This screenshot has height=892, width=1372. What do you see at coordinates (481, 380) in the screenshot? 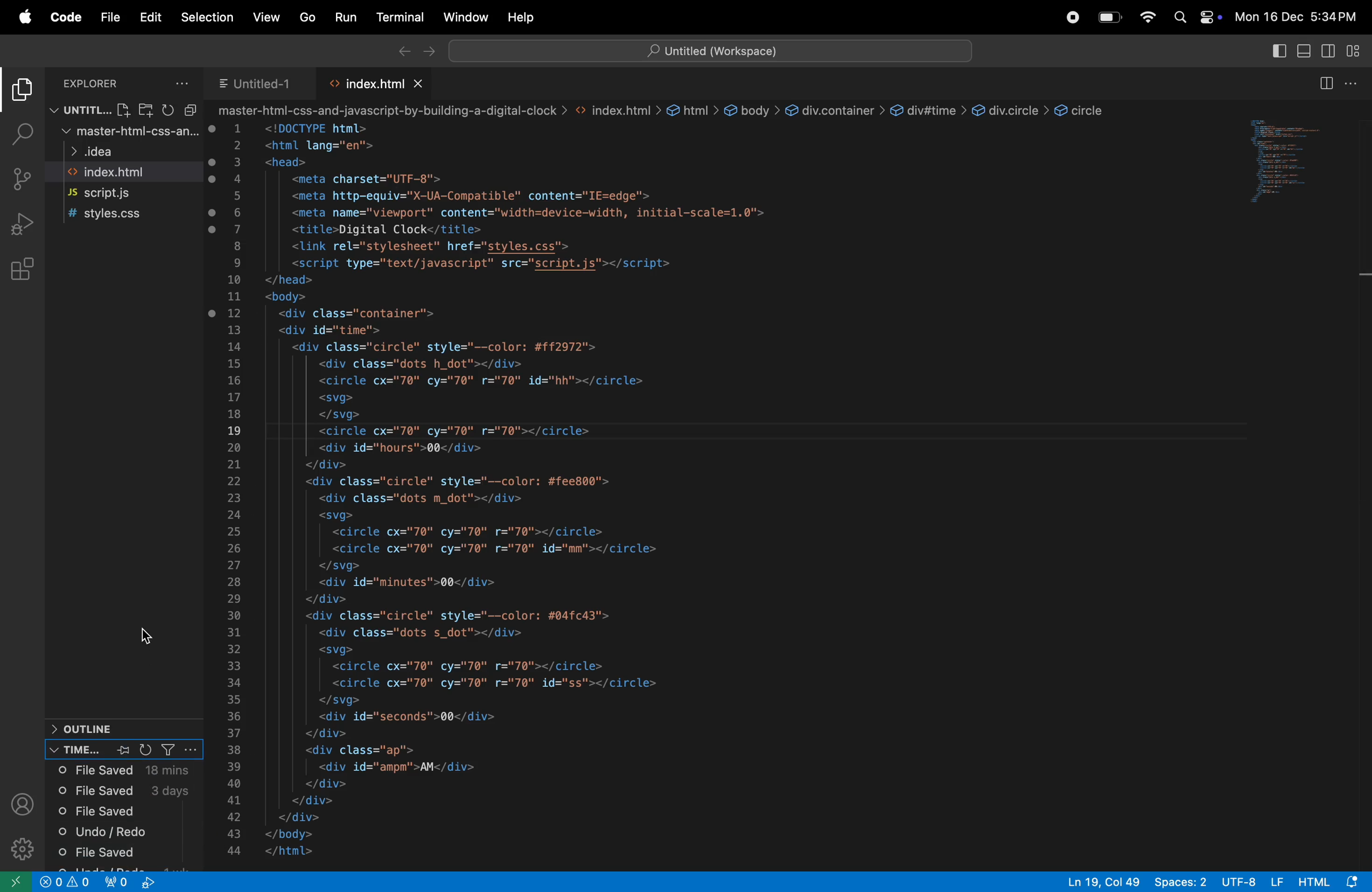
I see `| <circle cx="70" cy="70" r="70" id="hh"></circle>` at bounding box center [481, 380].